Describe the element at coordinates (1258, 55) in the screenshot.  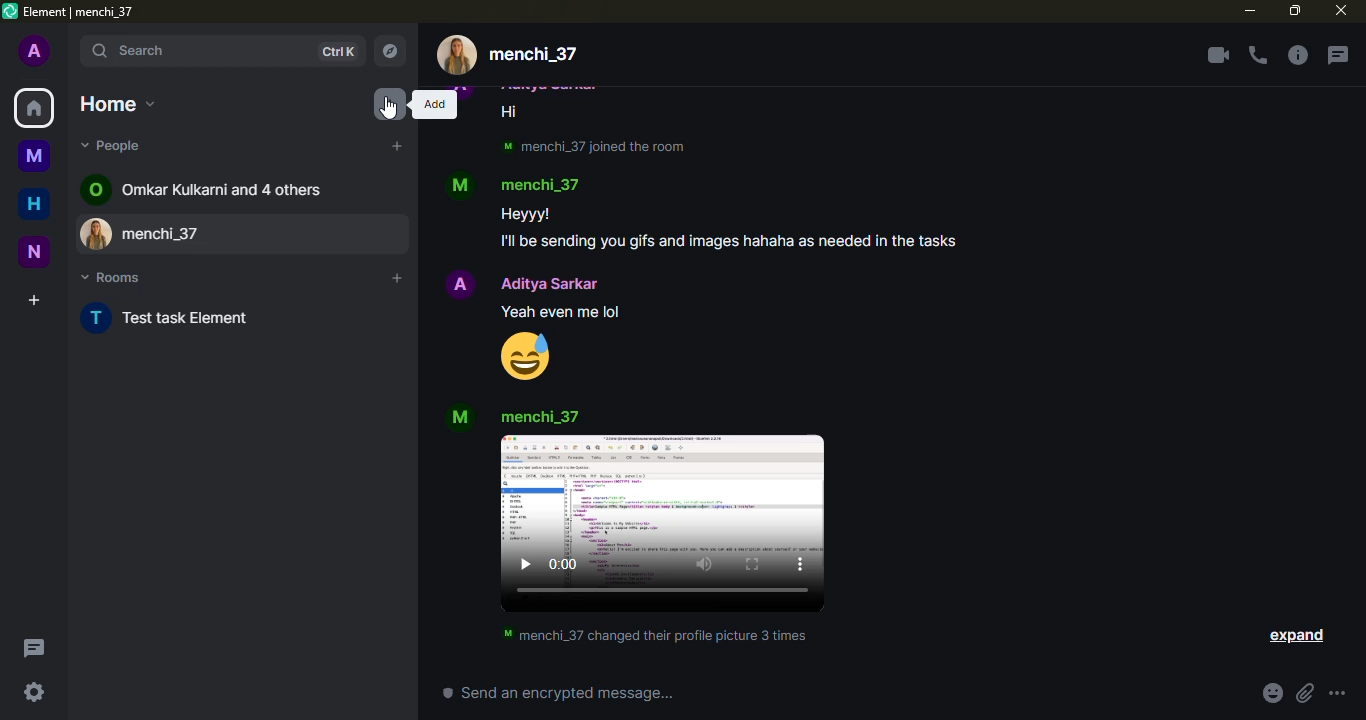
I see `voice call` at that location.